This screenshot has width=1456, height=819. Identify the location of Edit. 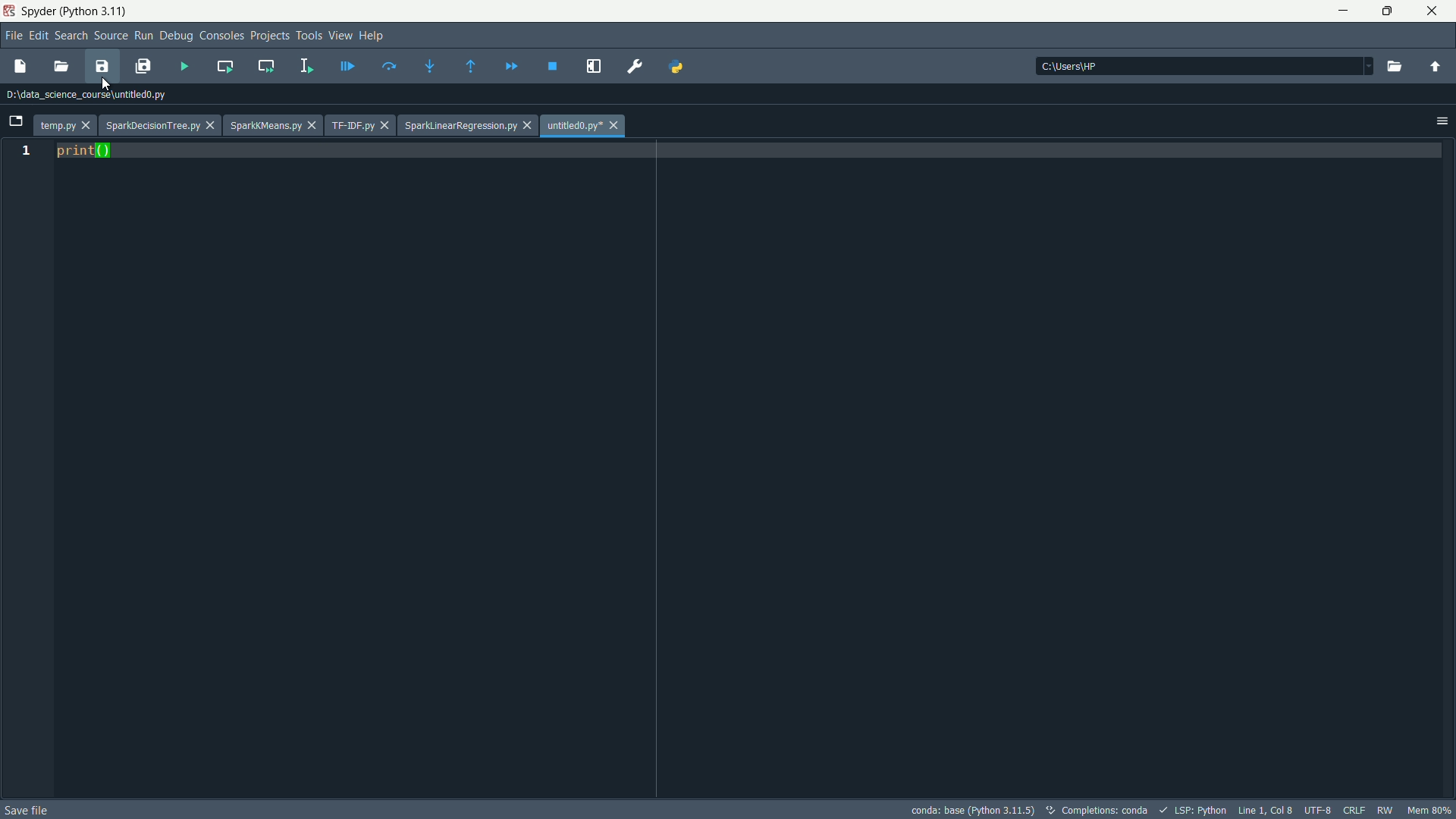
(40, 35).